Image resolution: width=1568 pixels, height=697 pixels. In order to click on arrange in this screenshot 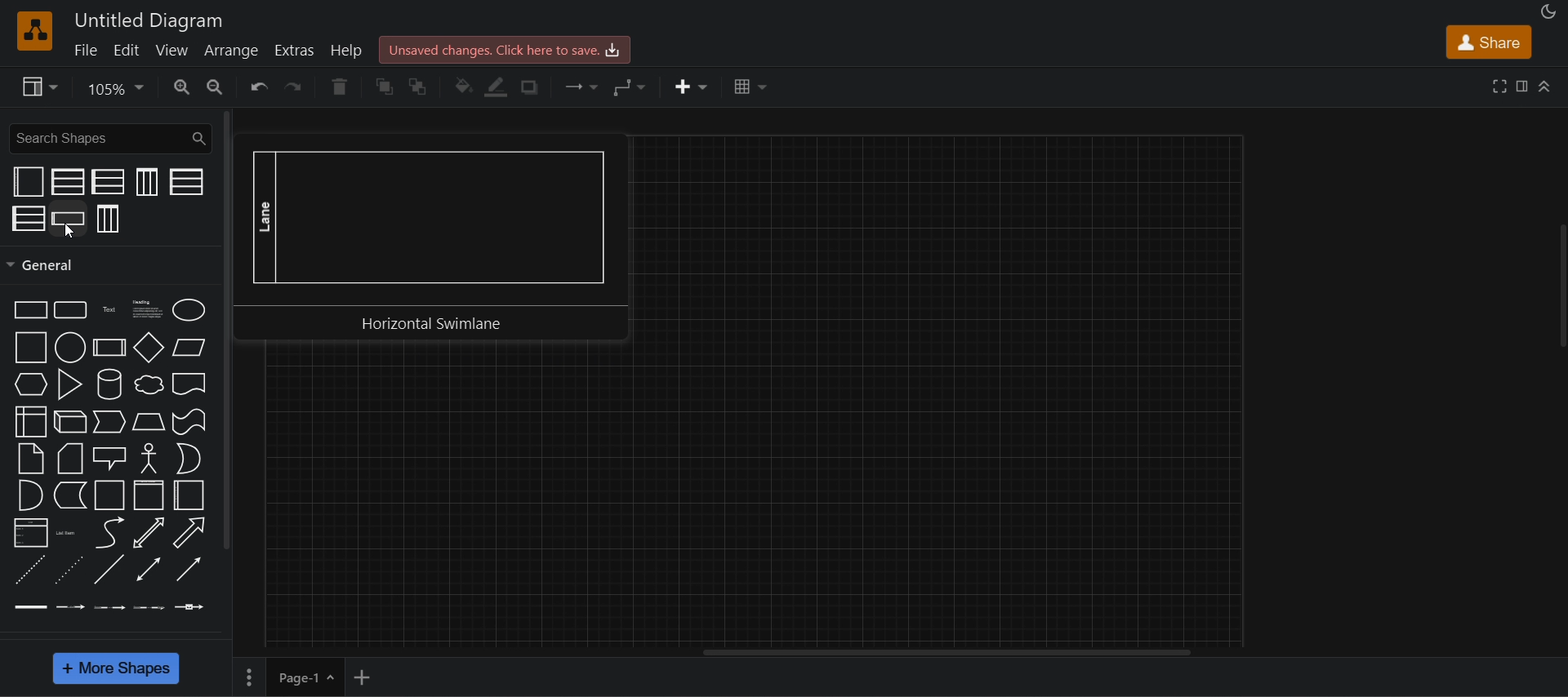, I will do `click(230, 50)`.